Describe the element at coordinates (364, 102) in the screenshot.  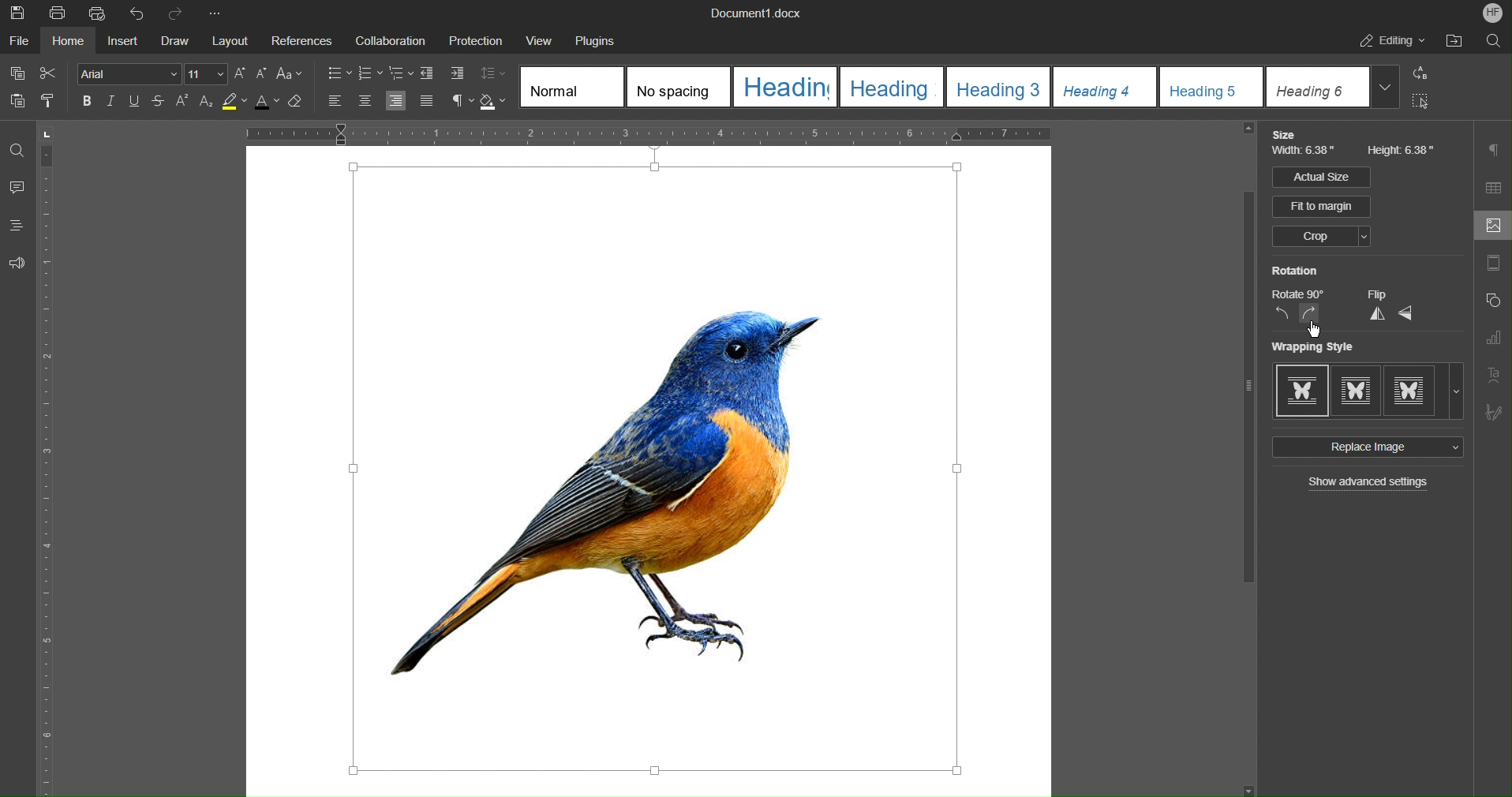
I see `Align Center` at that location.